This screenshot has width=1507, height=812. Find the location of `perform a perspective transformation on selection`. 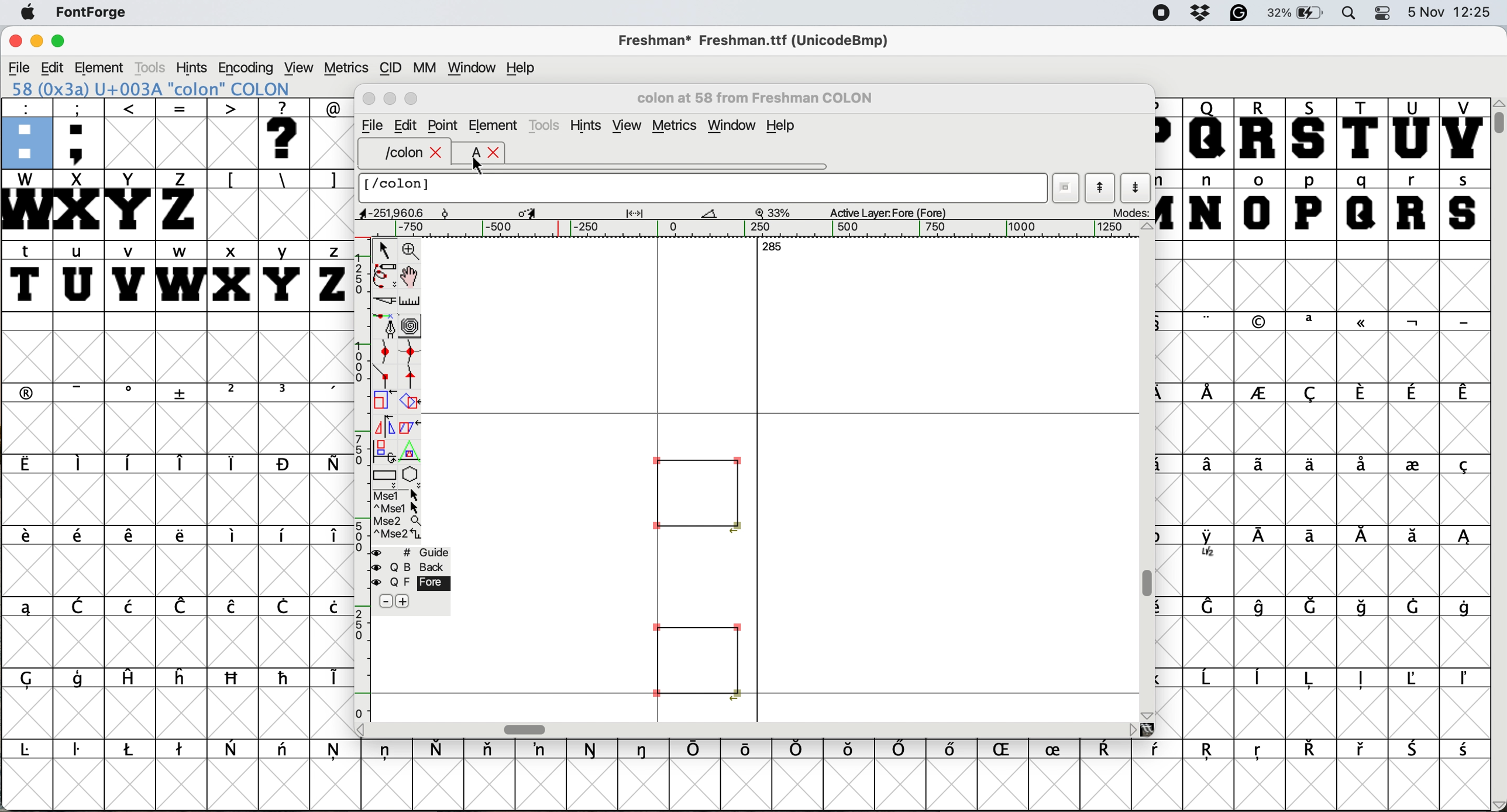

perform a perspective transformation on selection is located at coordinates (411, 448).